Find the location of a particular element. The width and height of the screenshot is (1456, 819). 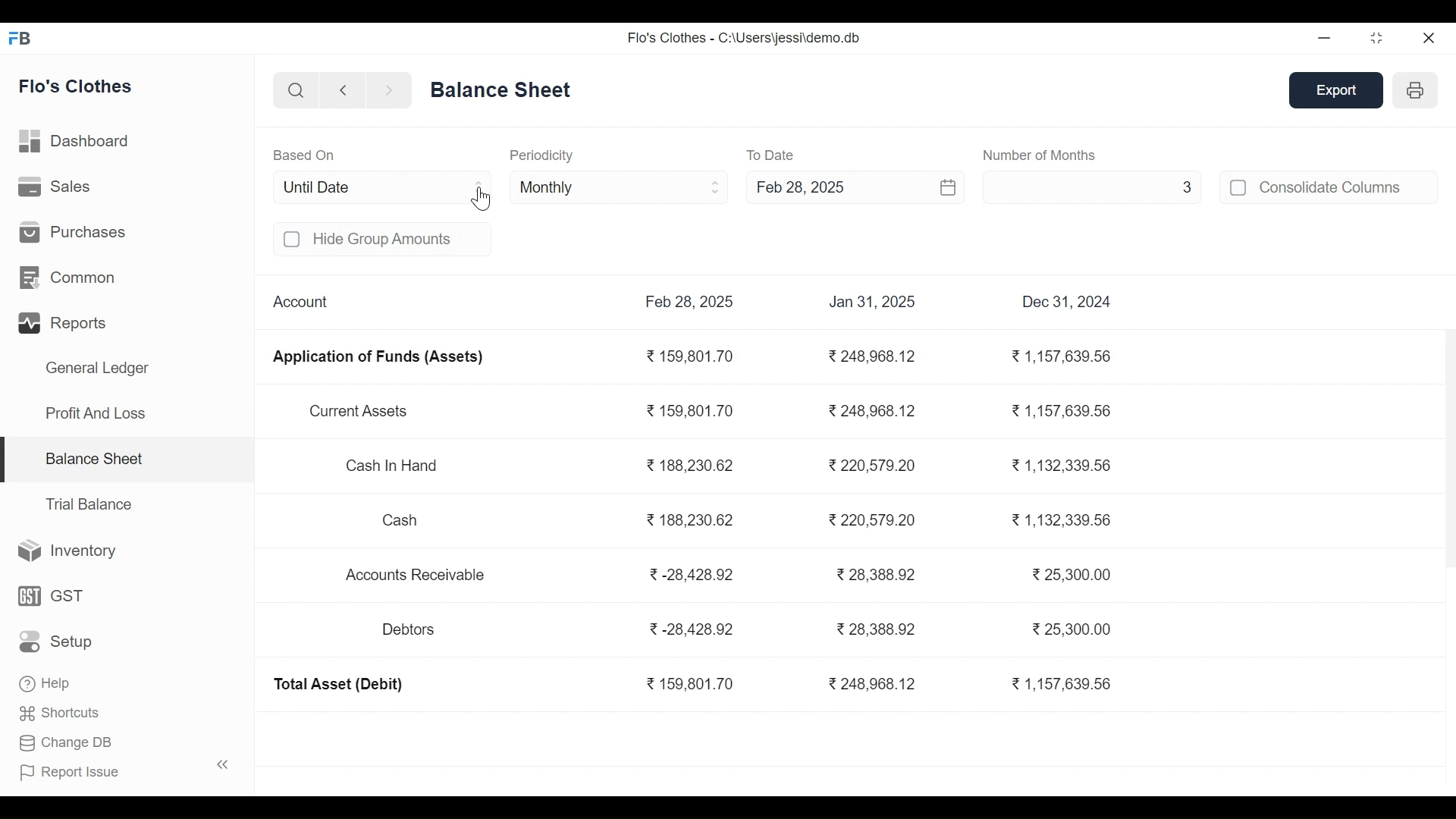

Accounts Receivable 3-28,428.92 28,388.92 25,300.00 is located at coordinates (731, 575).